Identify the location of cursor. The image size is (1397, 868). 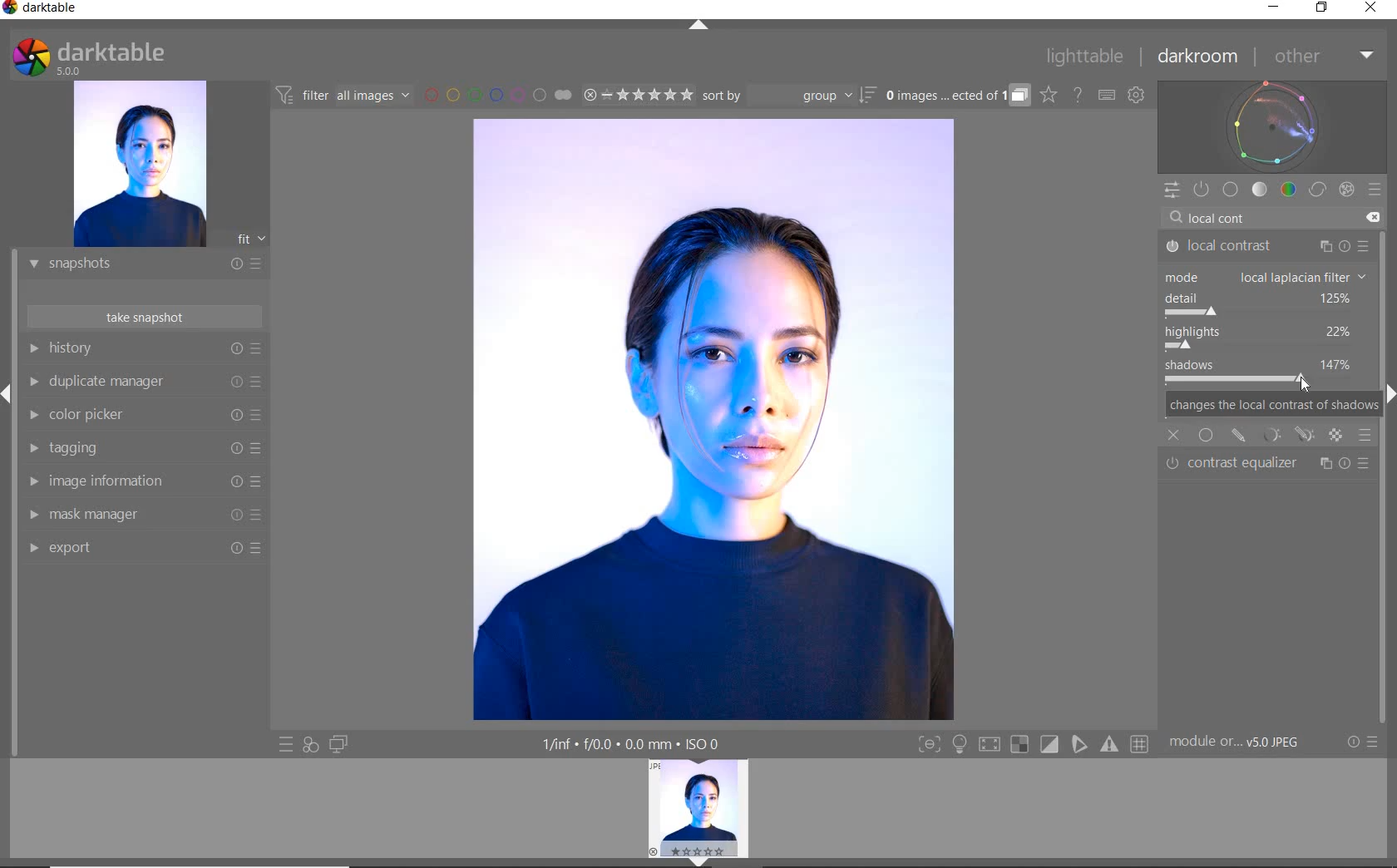
(1308, 383).